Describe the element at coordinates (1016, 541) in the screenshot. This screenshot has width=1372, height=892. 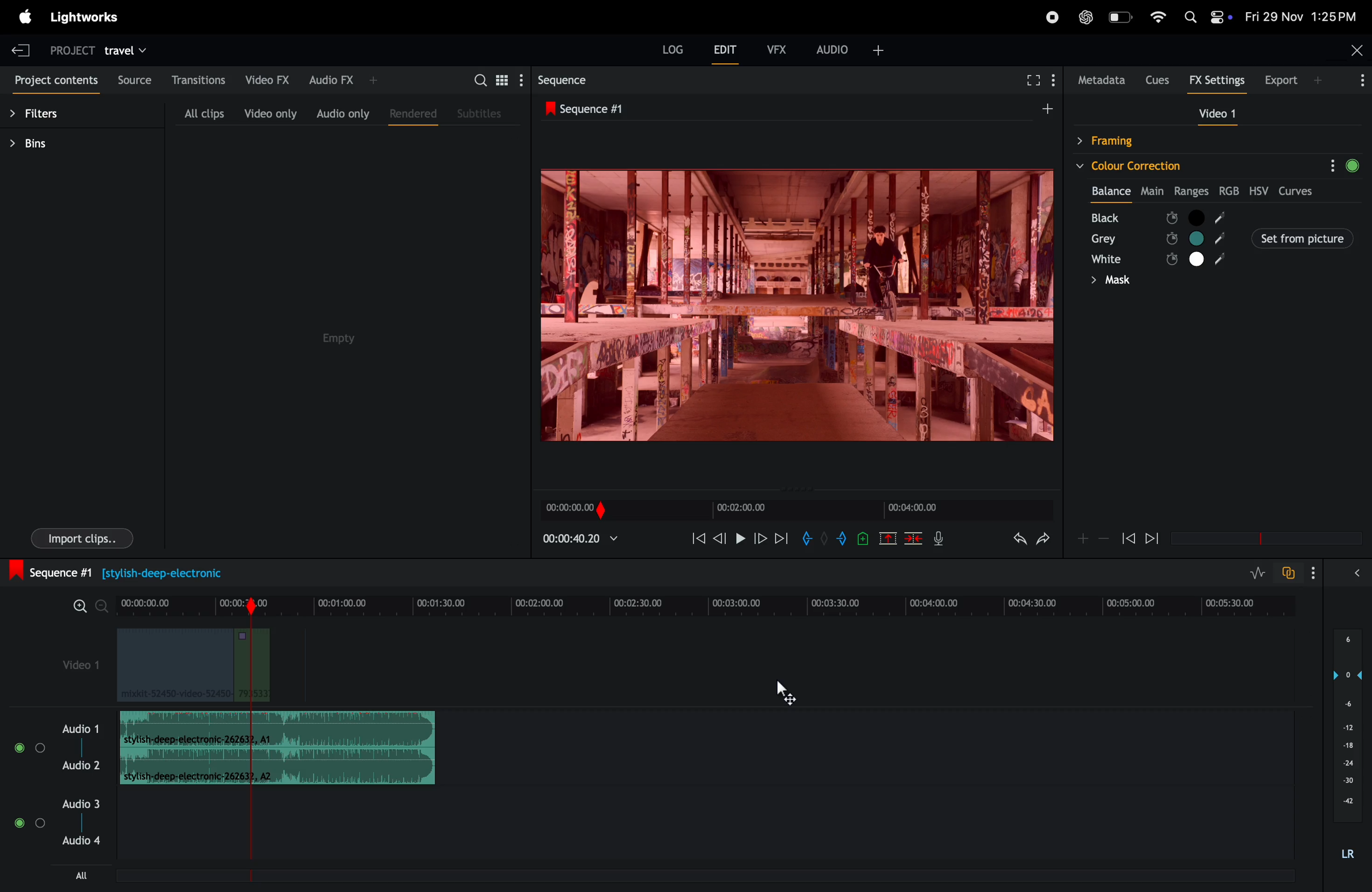
I see `undo` at that location.